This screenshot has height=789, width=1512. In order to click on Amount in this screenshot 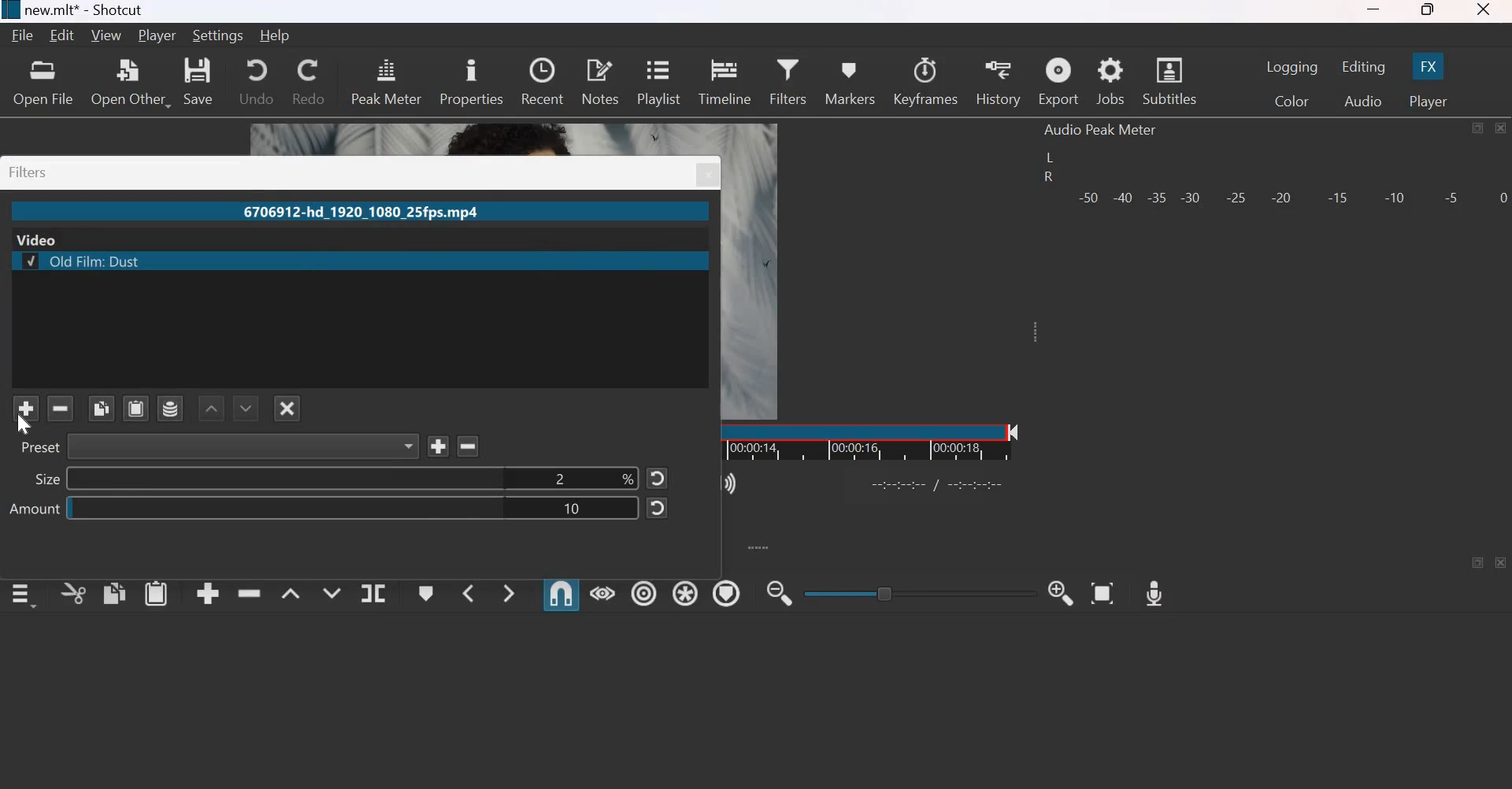, I will do `click(36, 508)`.